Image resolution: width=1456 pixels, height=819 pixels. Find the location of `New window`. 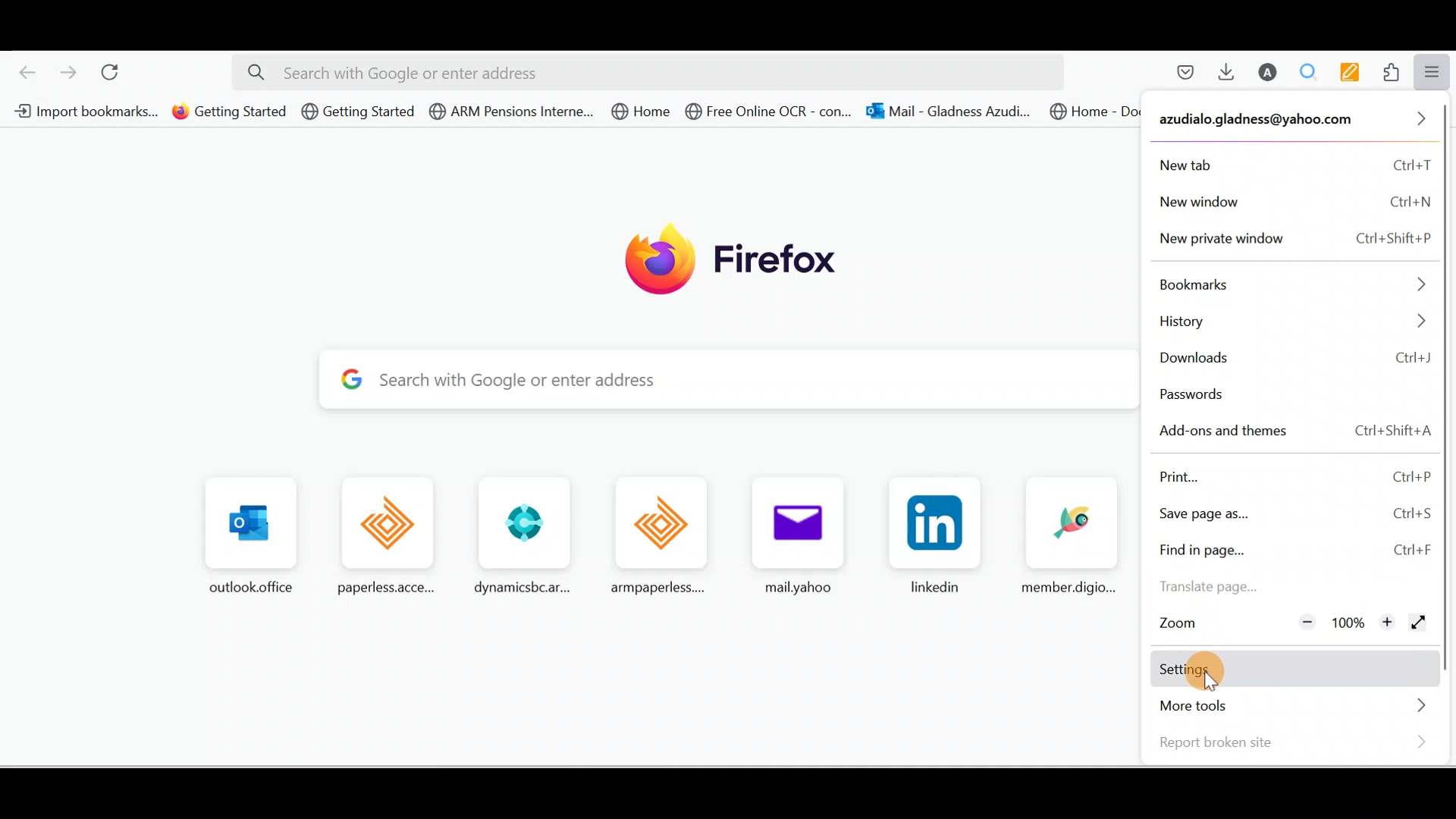

New window is located at coordinates (1295, 201).